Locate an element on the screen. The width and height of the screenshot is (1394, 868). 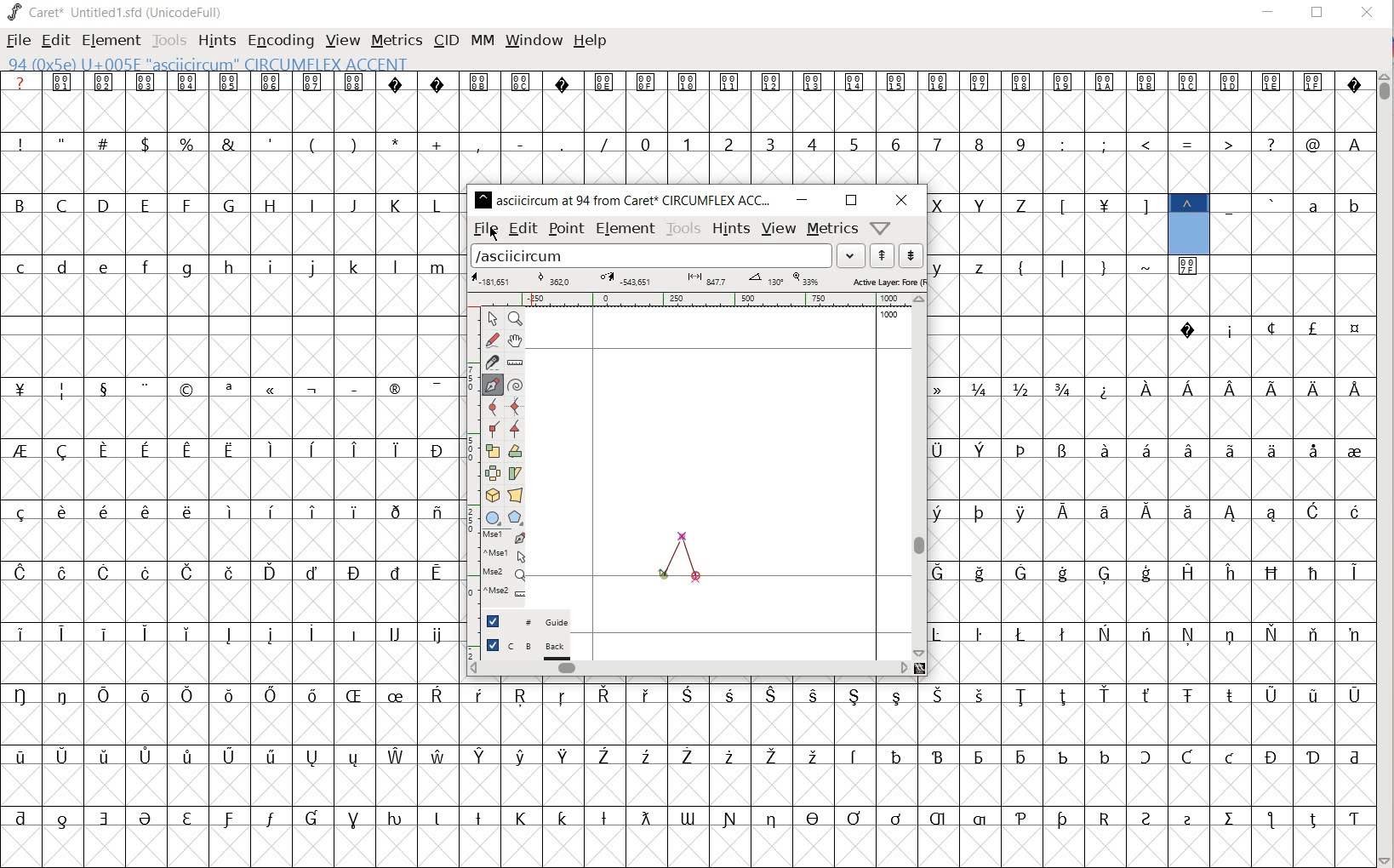
Add a corner point is located at coordinates (491, 428).